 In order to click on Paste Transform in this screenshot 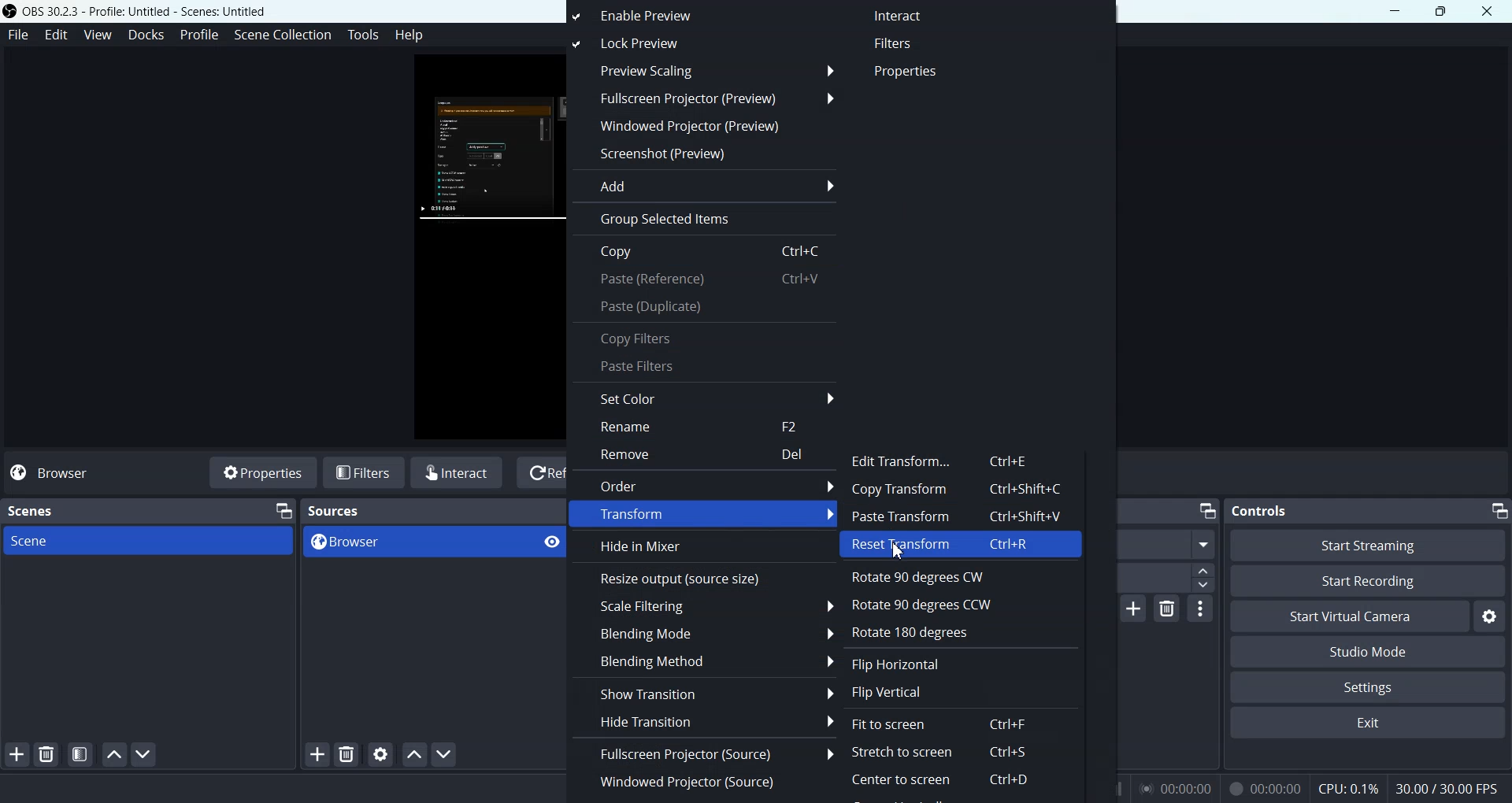, I will do `click(963, 517)`.